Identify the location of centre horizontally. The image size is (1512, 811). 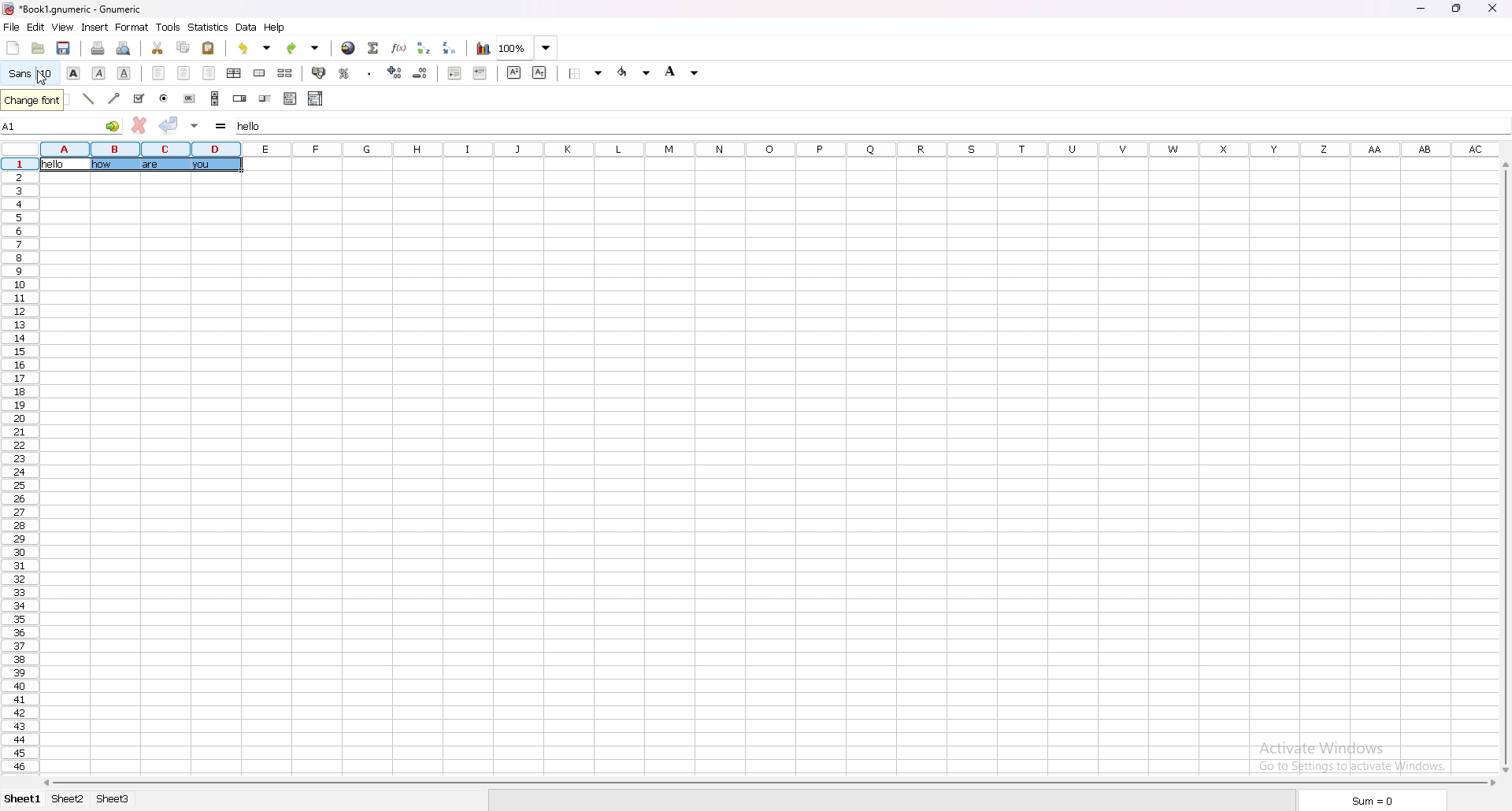
(235, 72).